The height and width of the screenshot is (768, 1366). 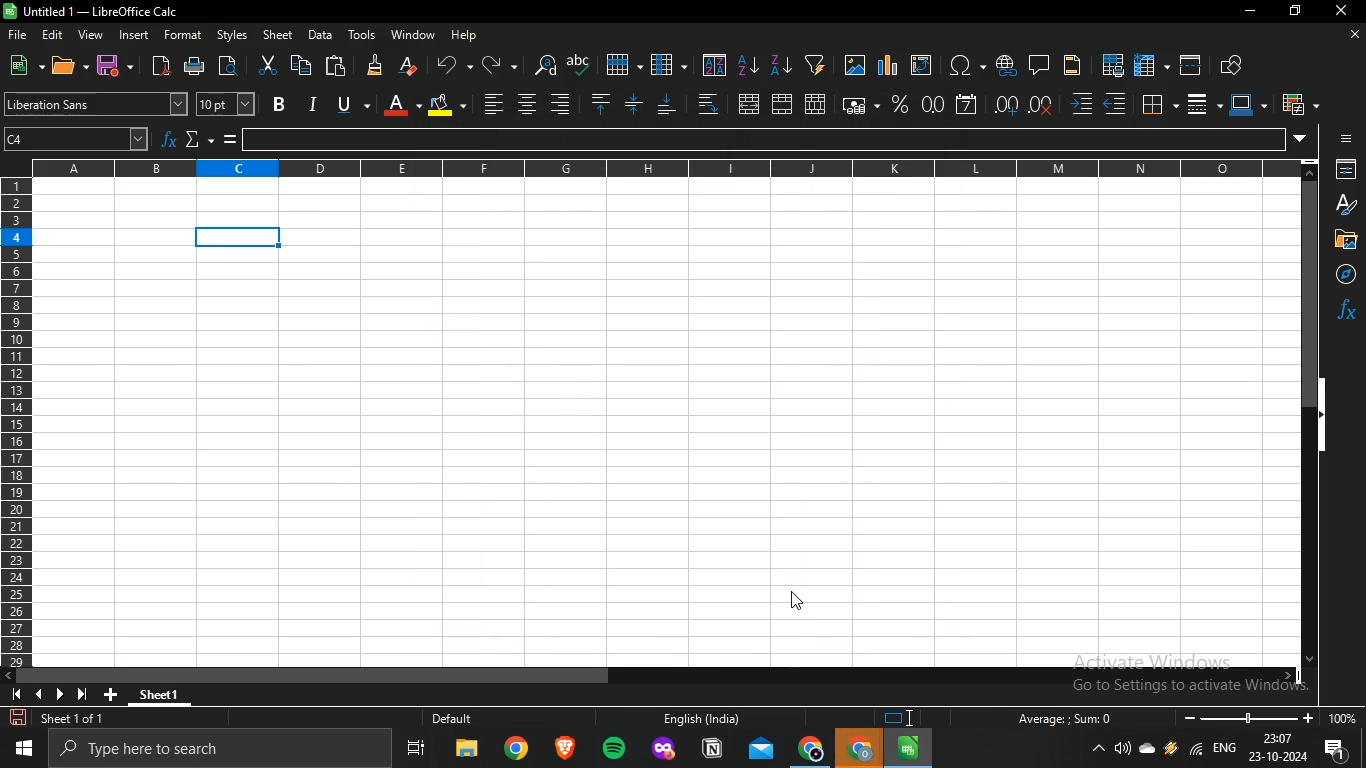 I want to click on brave, so click(x=563, y=749).